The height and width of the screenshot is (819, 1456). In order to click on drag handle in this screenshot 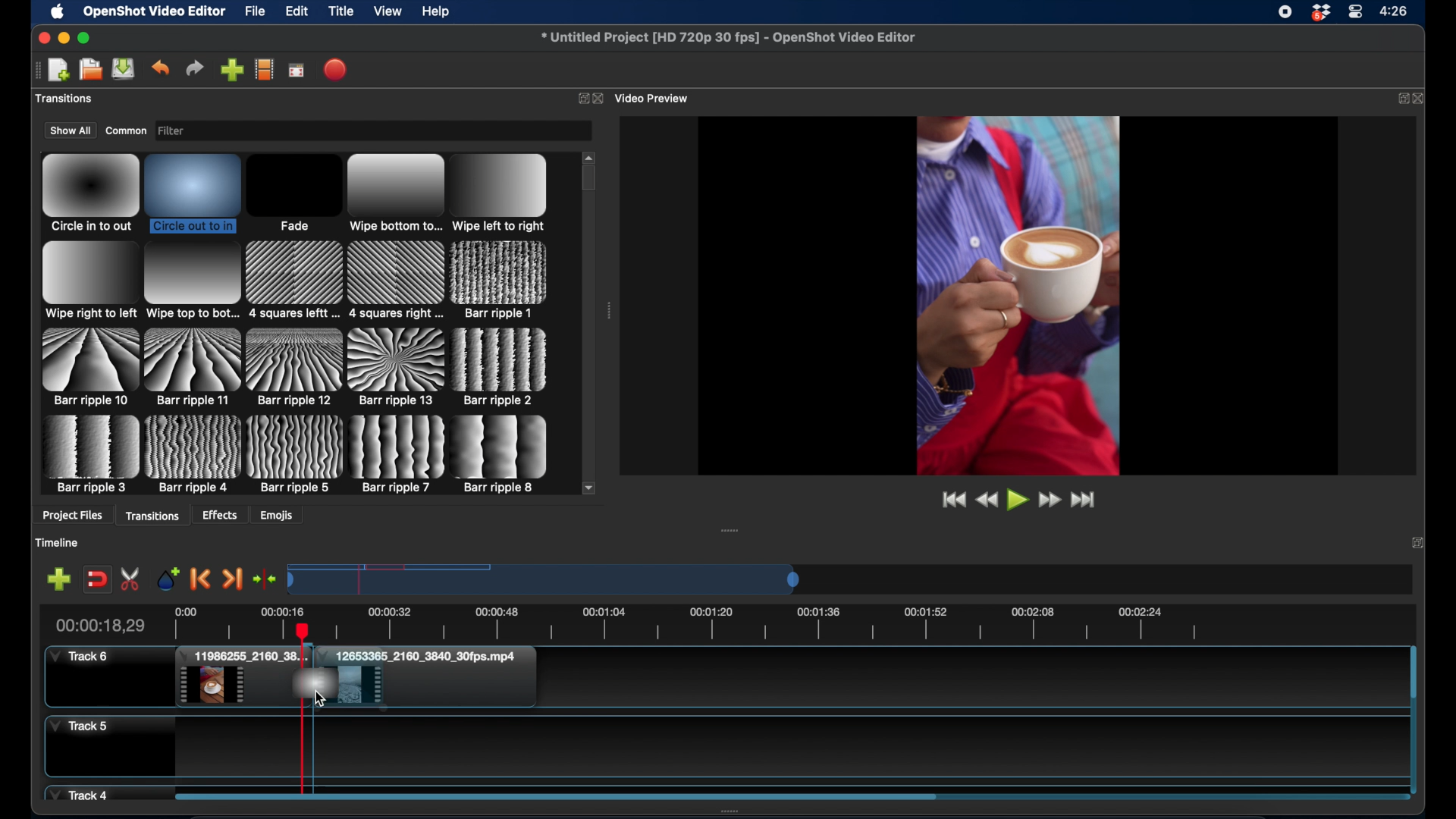, I will do `click(731, 530)`.